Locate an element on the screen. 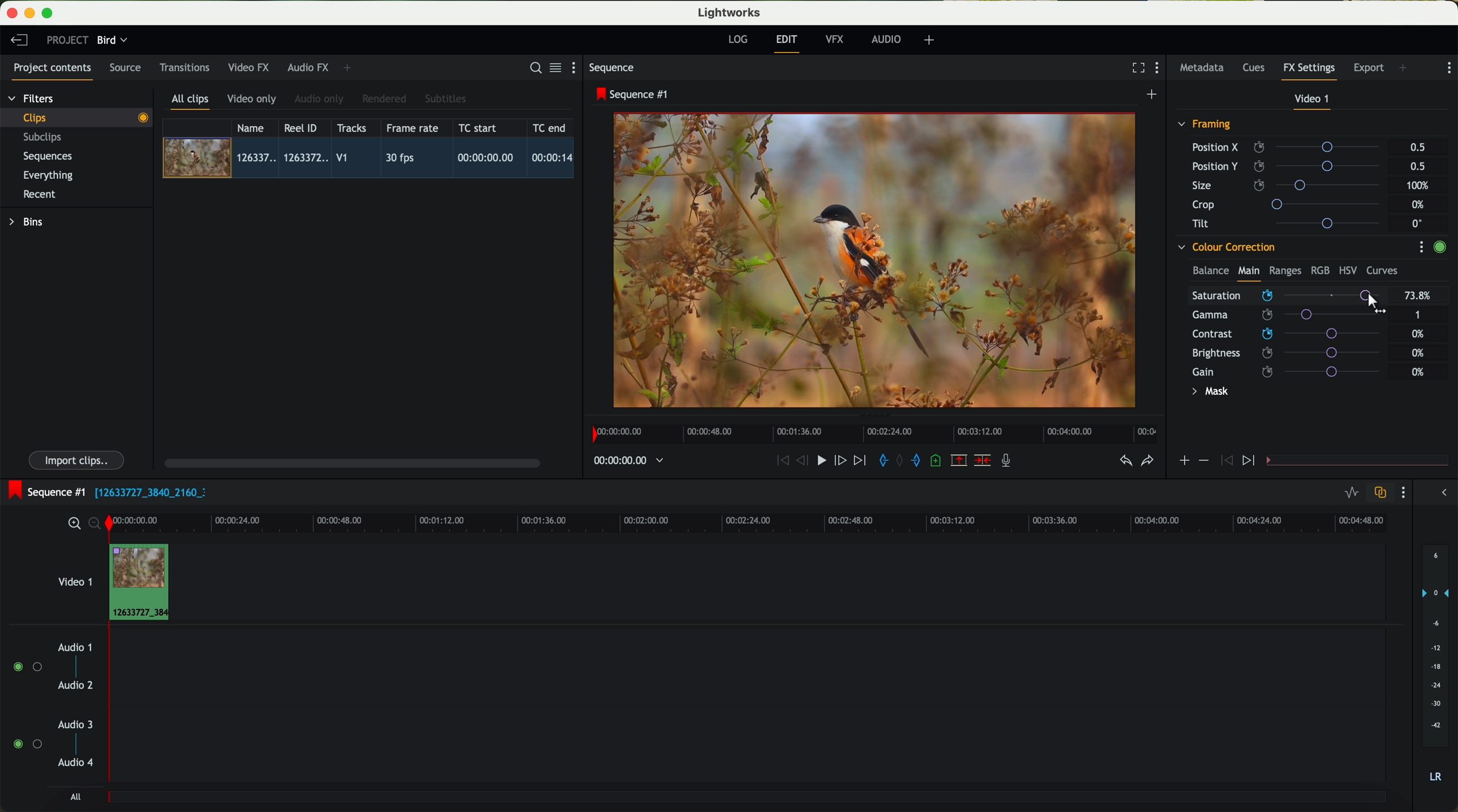  move foward is located at coordinates (859, 461).